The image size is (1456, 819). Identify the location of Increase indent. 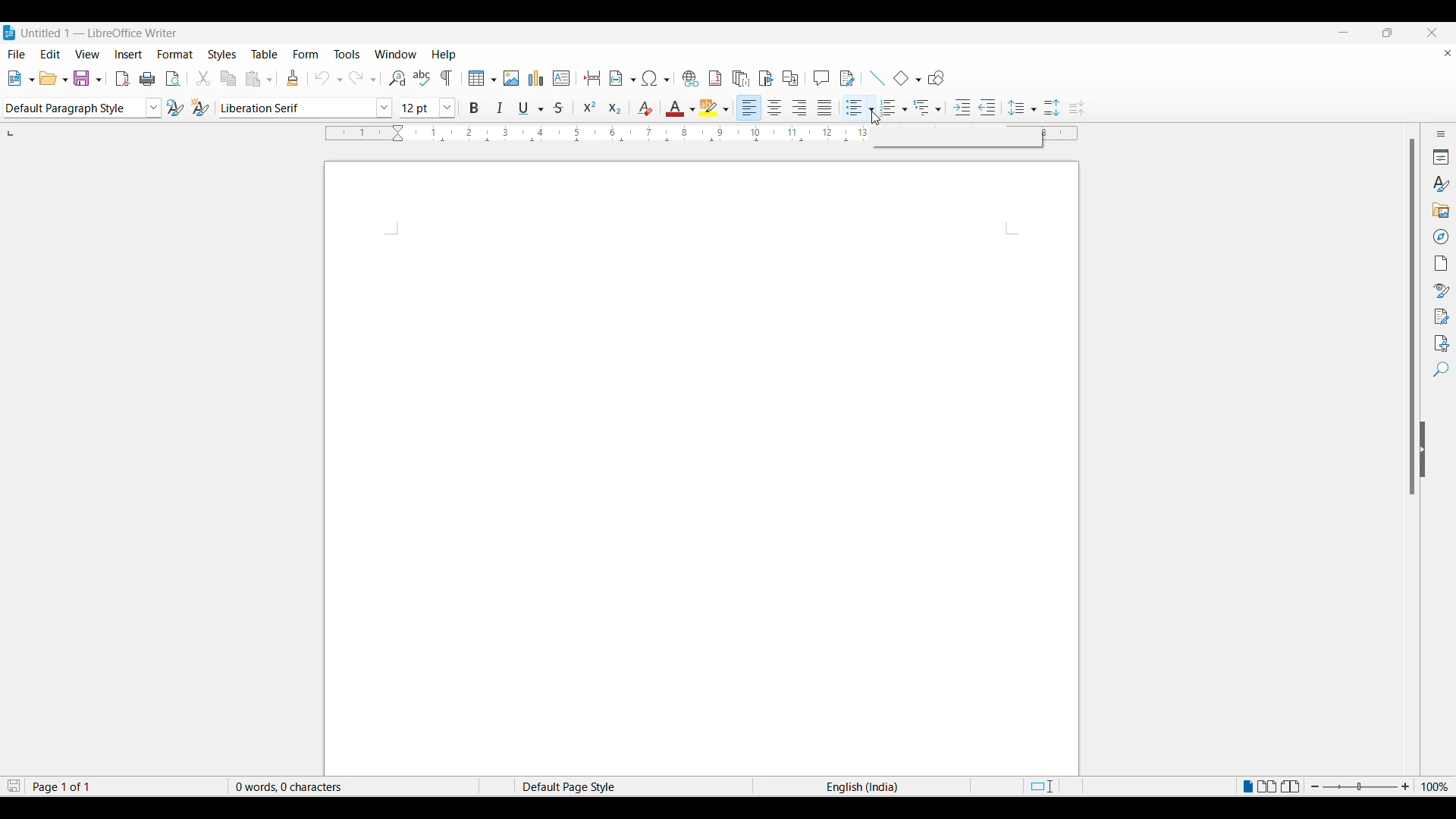
(960, 106).